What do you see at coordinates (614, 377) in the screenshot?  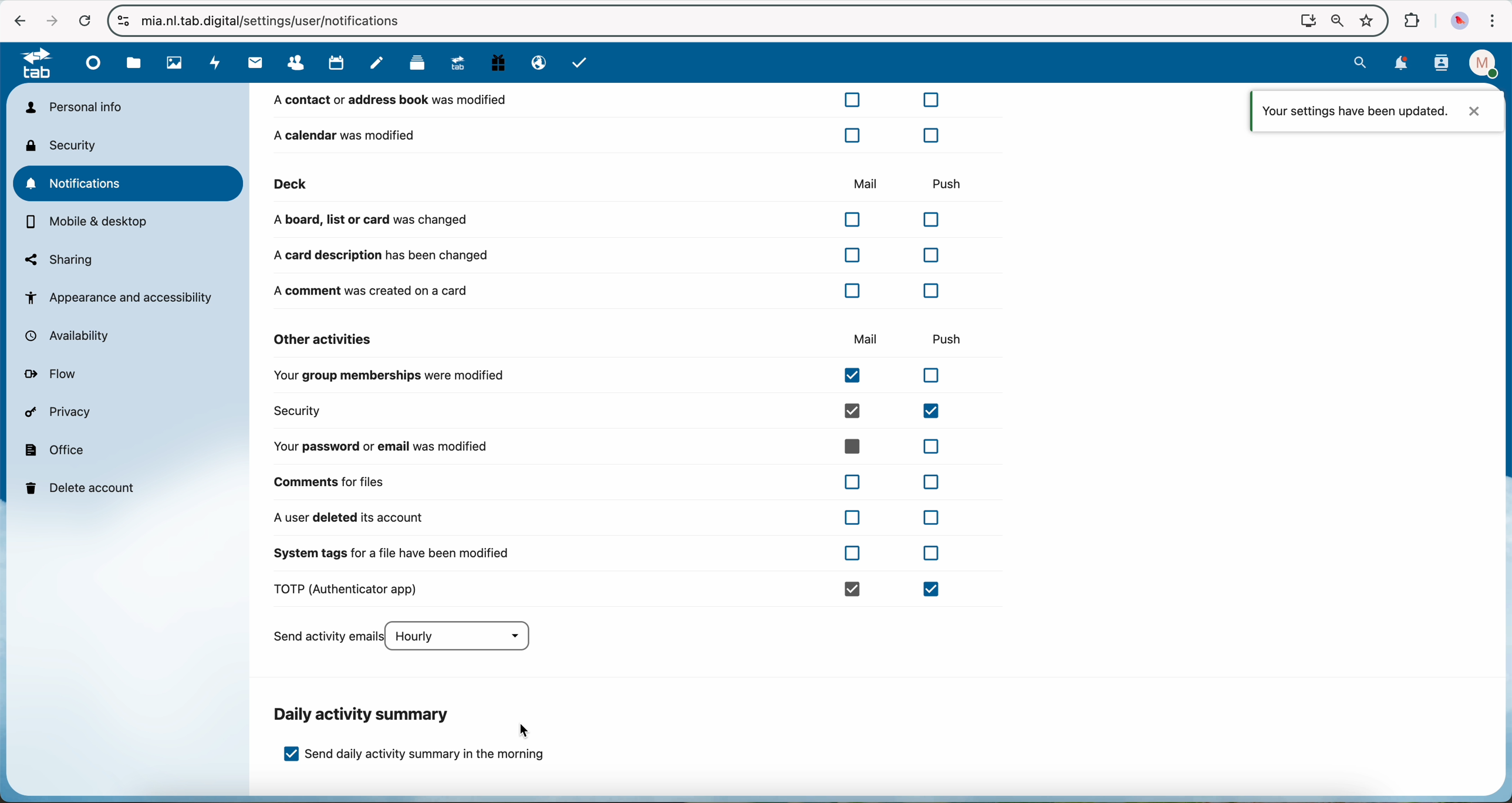 I see `your group memberships were modified` at bounding box center [614, 377].